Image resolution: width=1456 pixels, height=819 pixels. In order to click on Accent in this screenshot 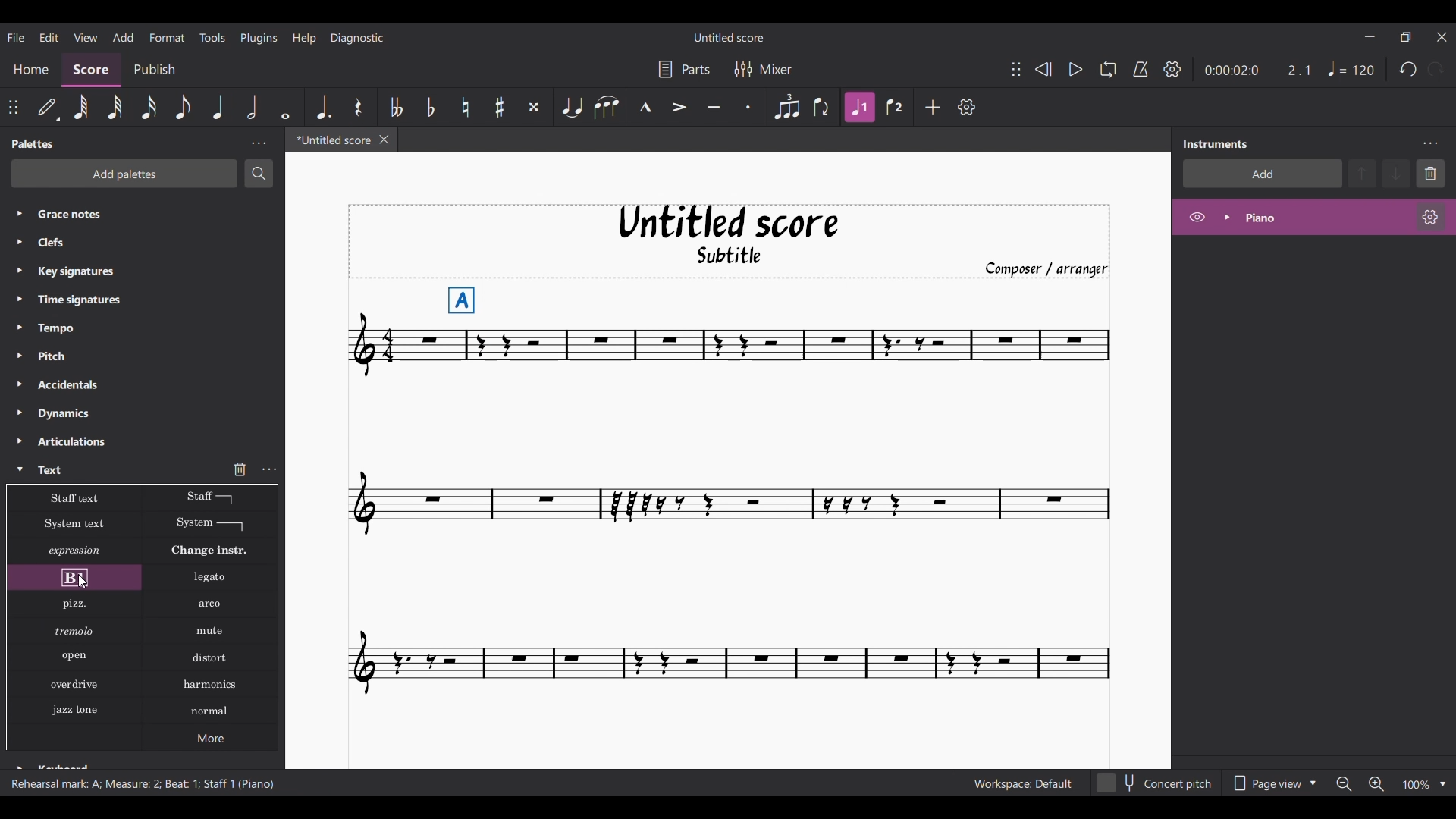, I will do `click(680, 108)`.